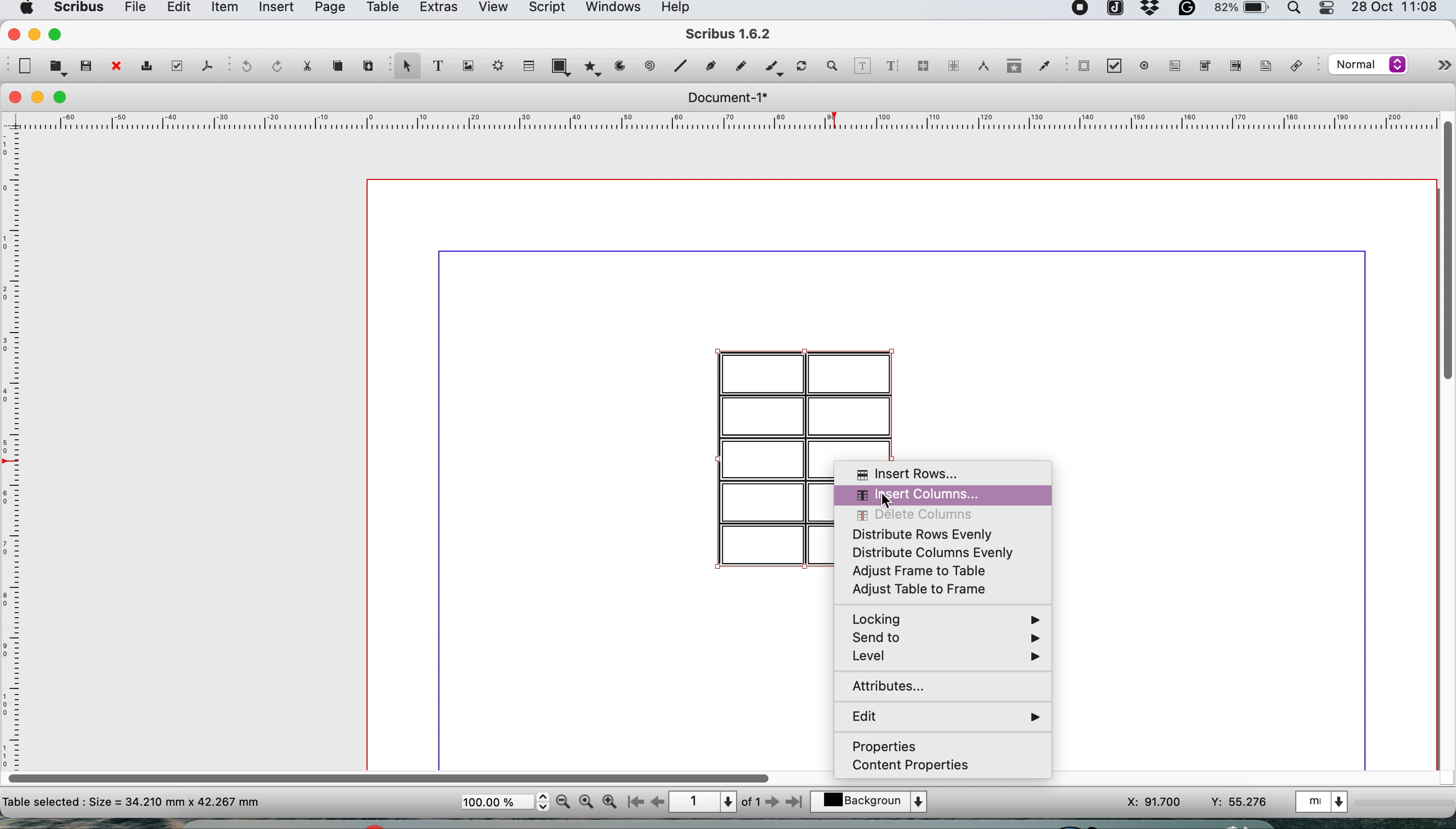  Describe the element at coordinates (944, 618) in the screenshot. I see `locking ` at that location.